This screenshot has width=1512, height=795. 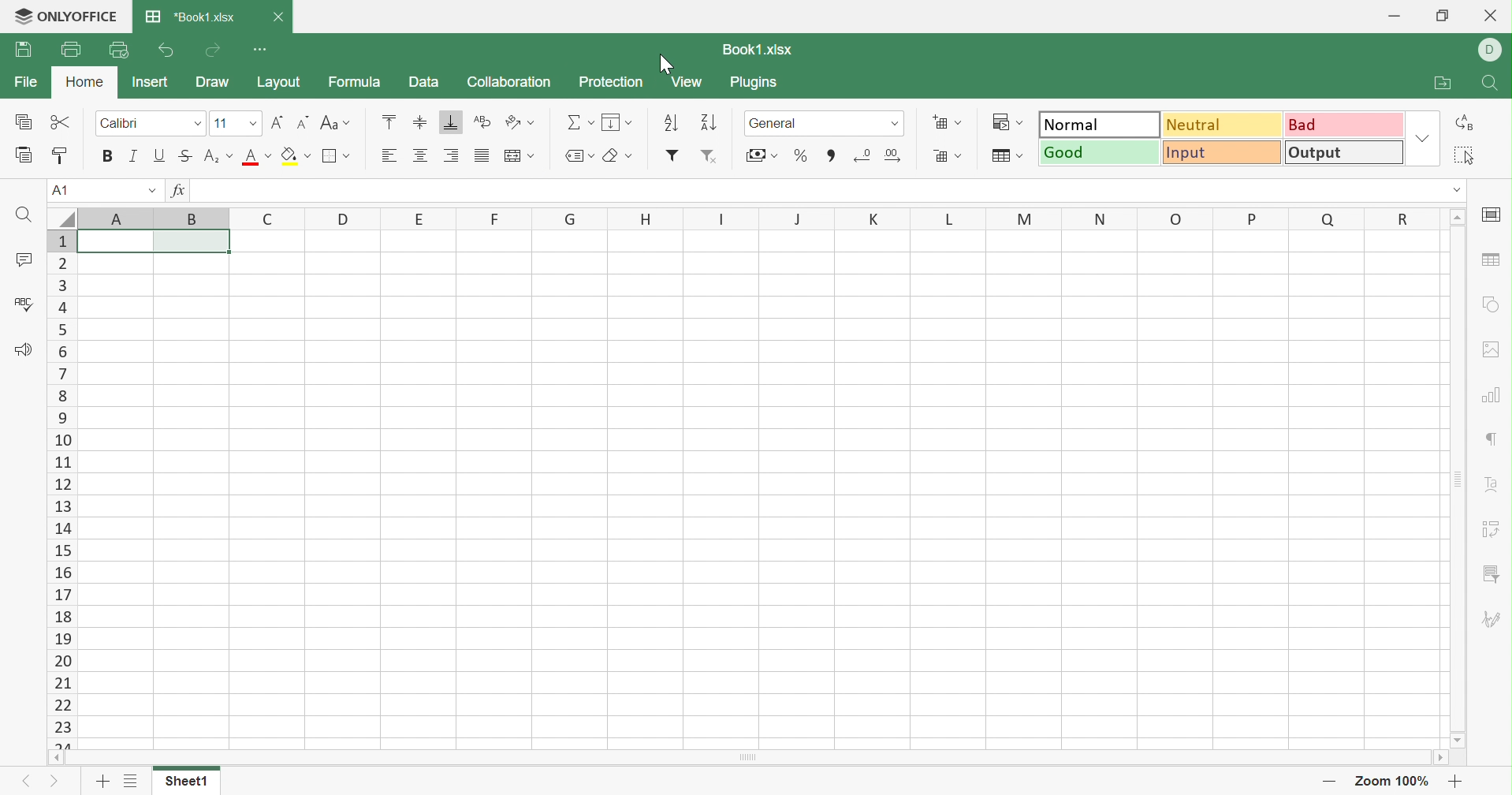 What do you see at coordinates (616, 157) in the screenshot?
I see `Clear` at bounding box center [616, 157].